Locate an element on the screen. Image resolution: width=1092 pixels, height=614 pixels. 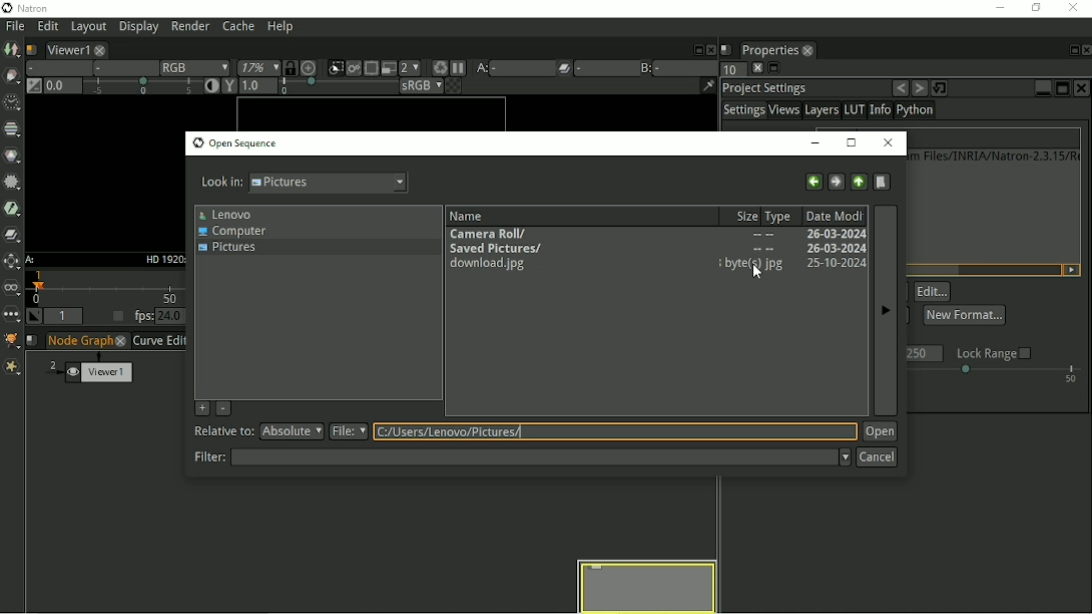
Redo is located at coordinates (919, 88).